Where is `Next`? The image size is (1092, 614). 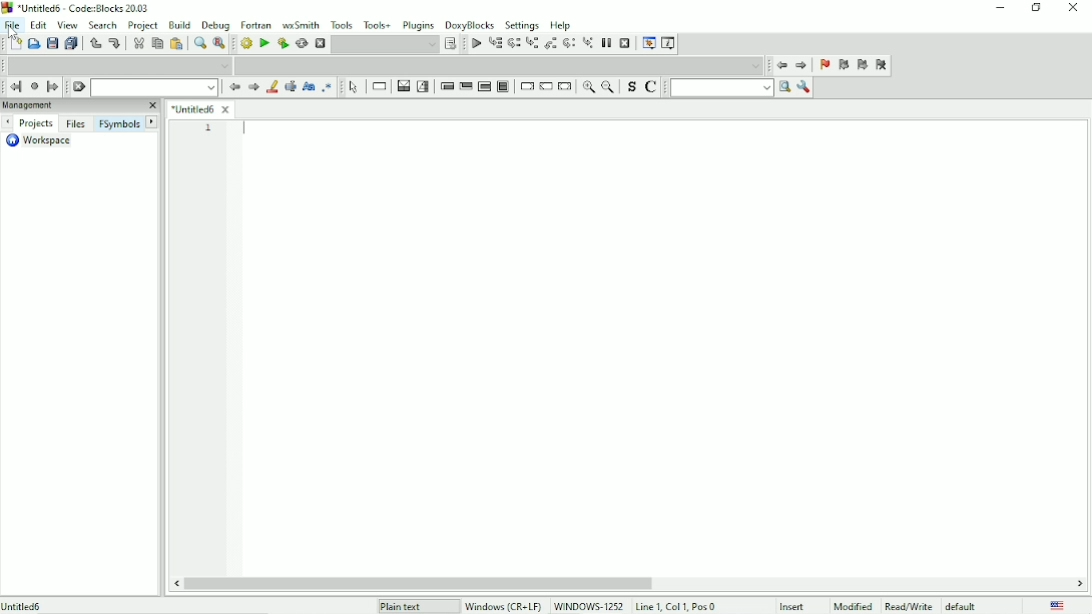 Next is located at coordinates (152, 121).